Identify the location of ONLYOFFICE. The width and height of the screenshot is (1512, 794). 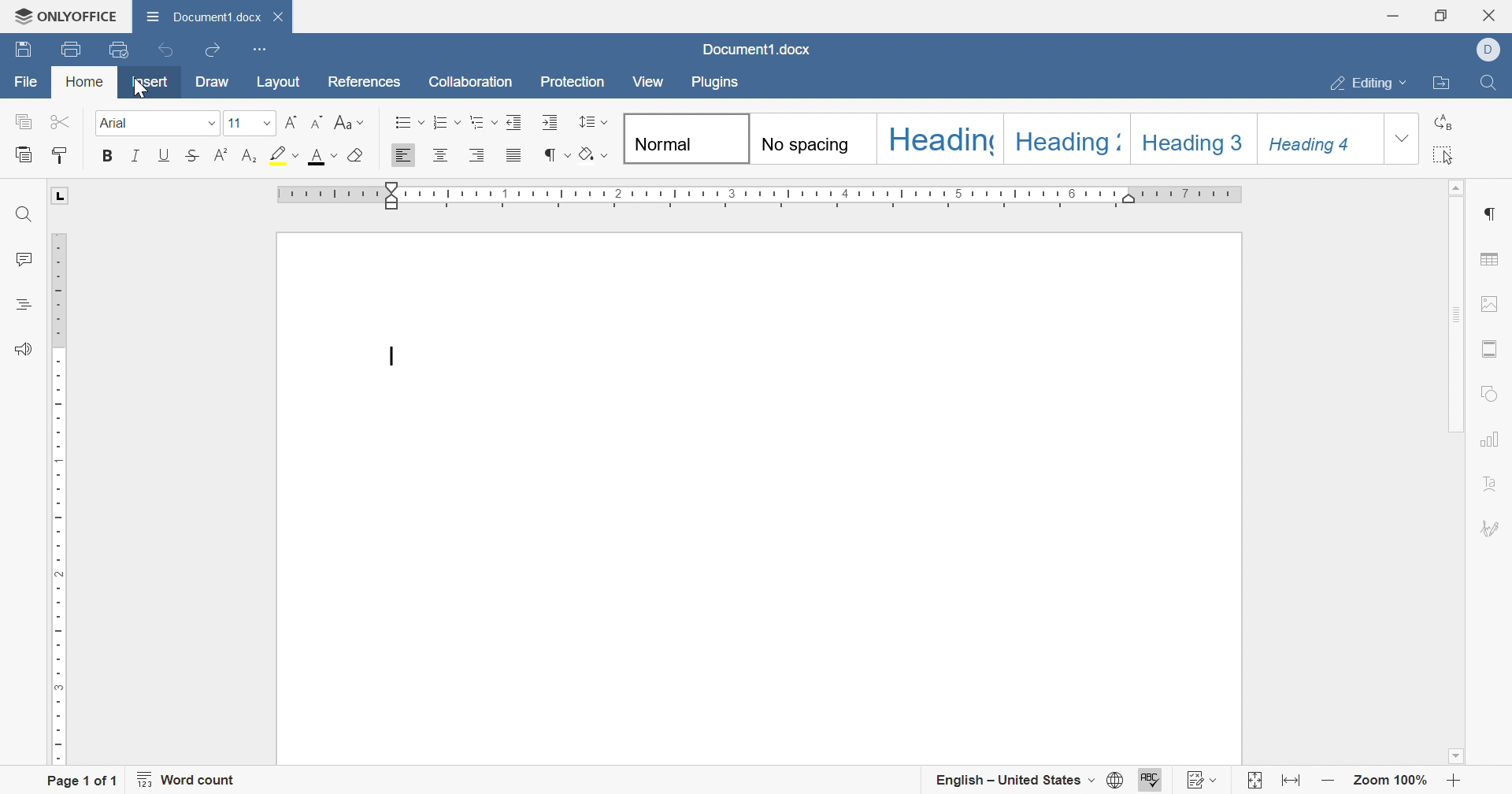
(68, 17).